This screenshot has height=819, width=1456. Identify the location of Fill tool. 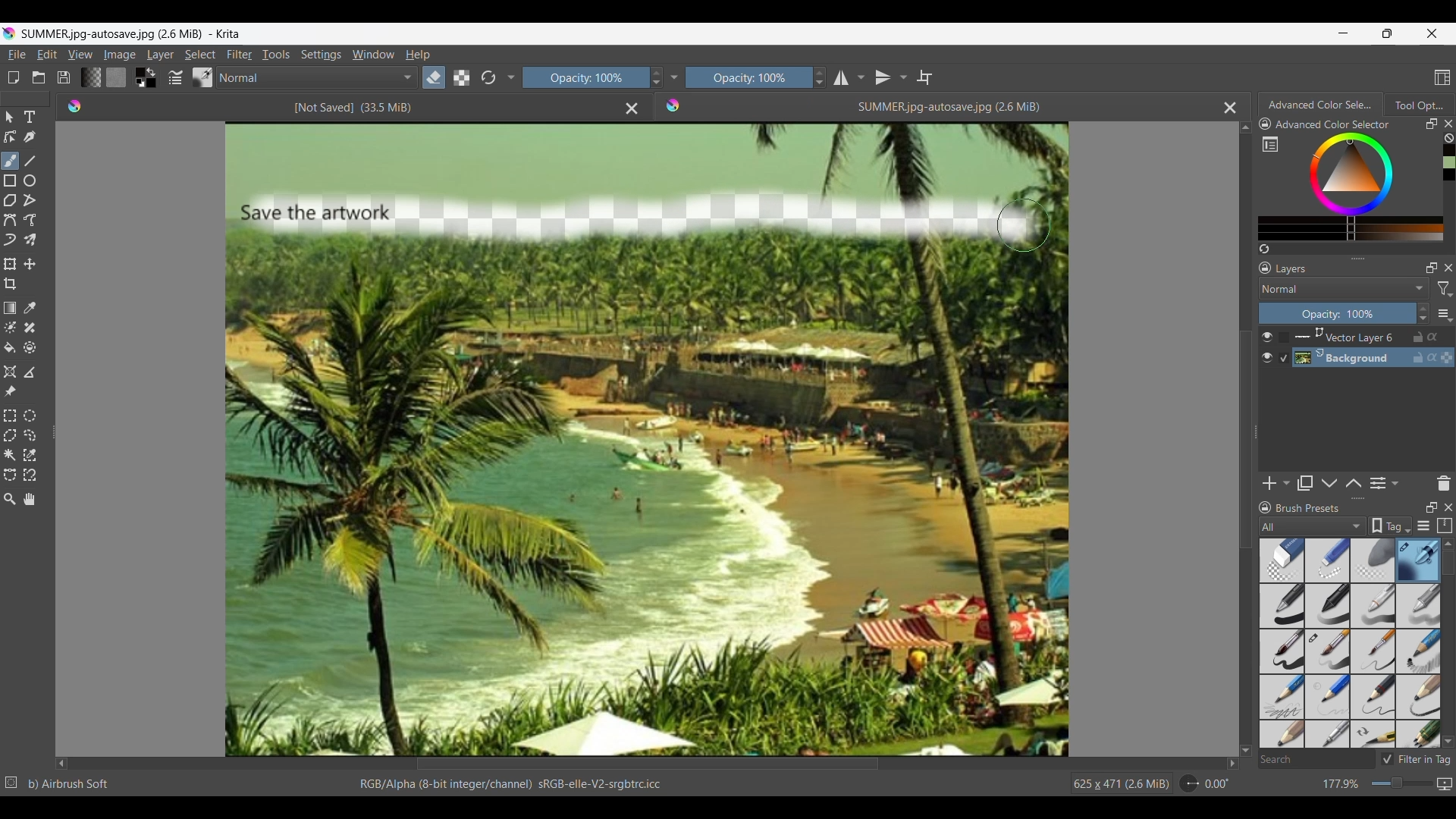
(11, 348).